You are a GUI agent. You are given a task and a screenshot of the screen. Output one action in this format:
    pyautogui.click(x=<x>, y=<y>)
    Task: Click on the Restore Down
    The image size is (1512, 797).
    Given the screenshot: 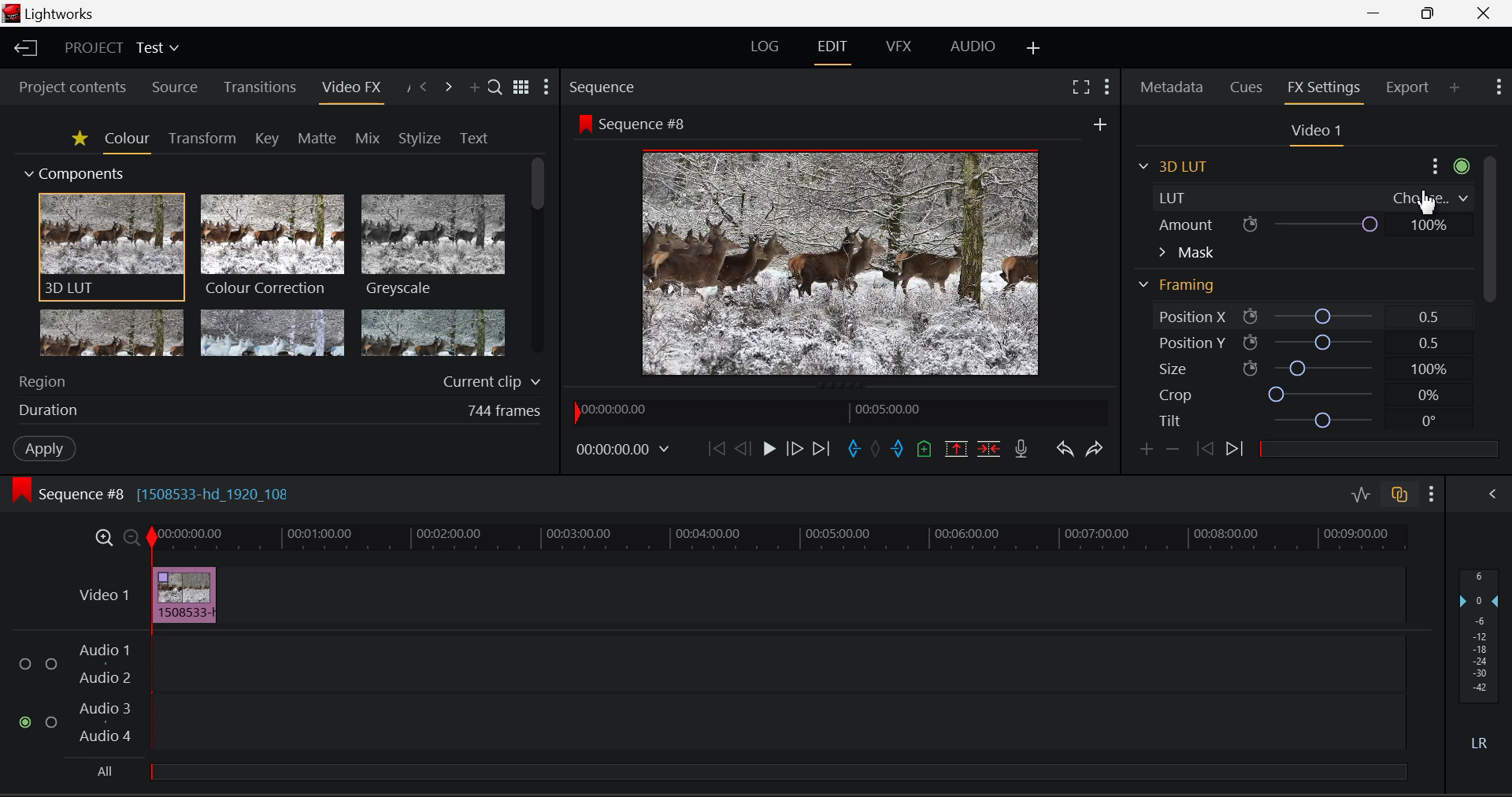 What is the action you would take?
    pyautogui.click(x=1376, y=13)
    